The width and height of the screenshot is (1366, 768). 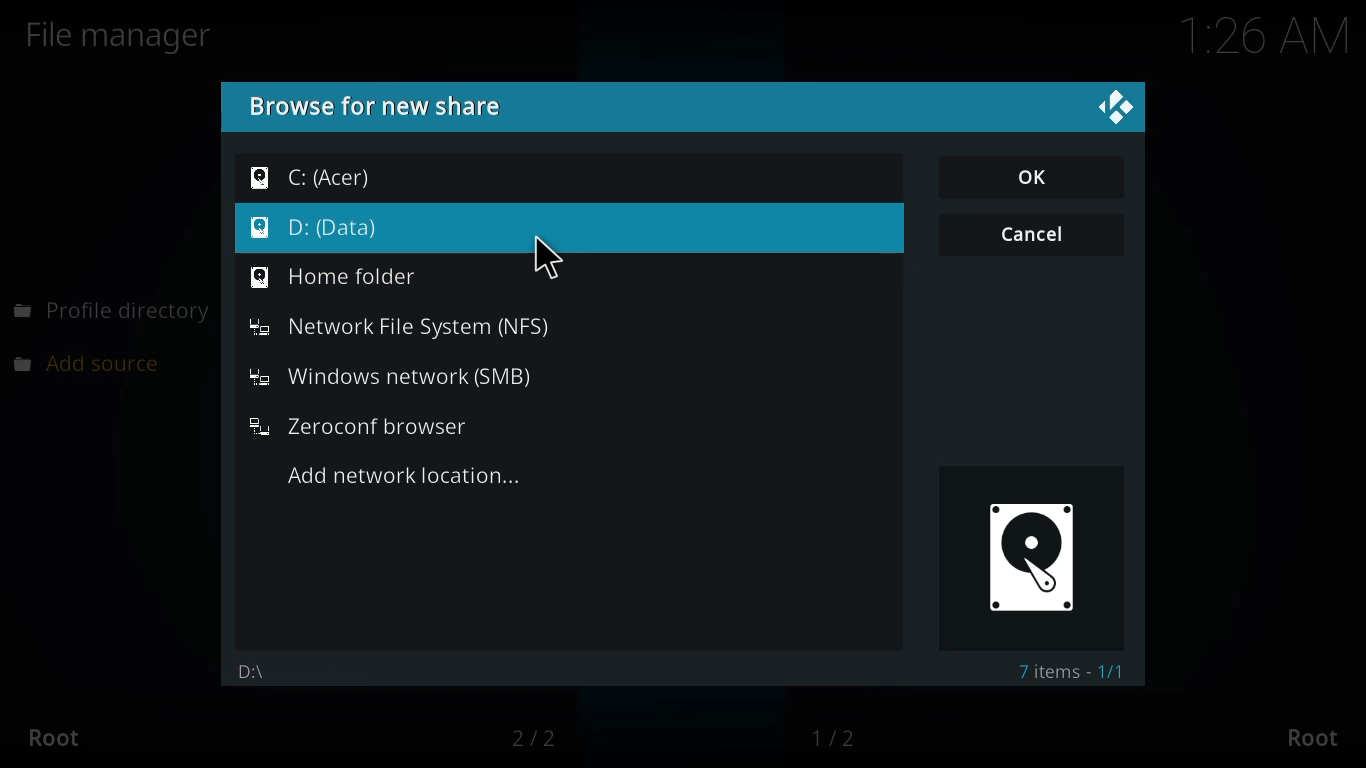 What do you see at coordinates (1308, 735) in the screenshot?
I see `root` at bounding box center [1308, 735].